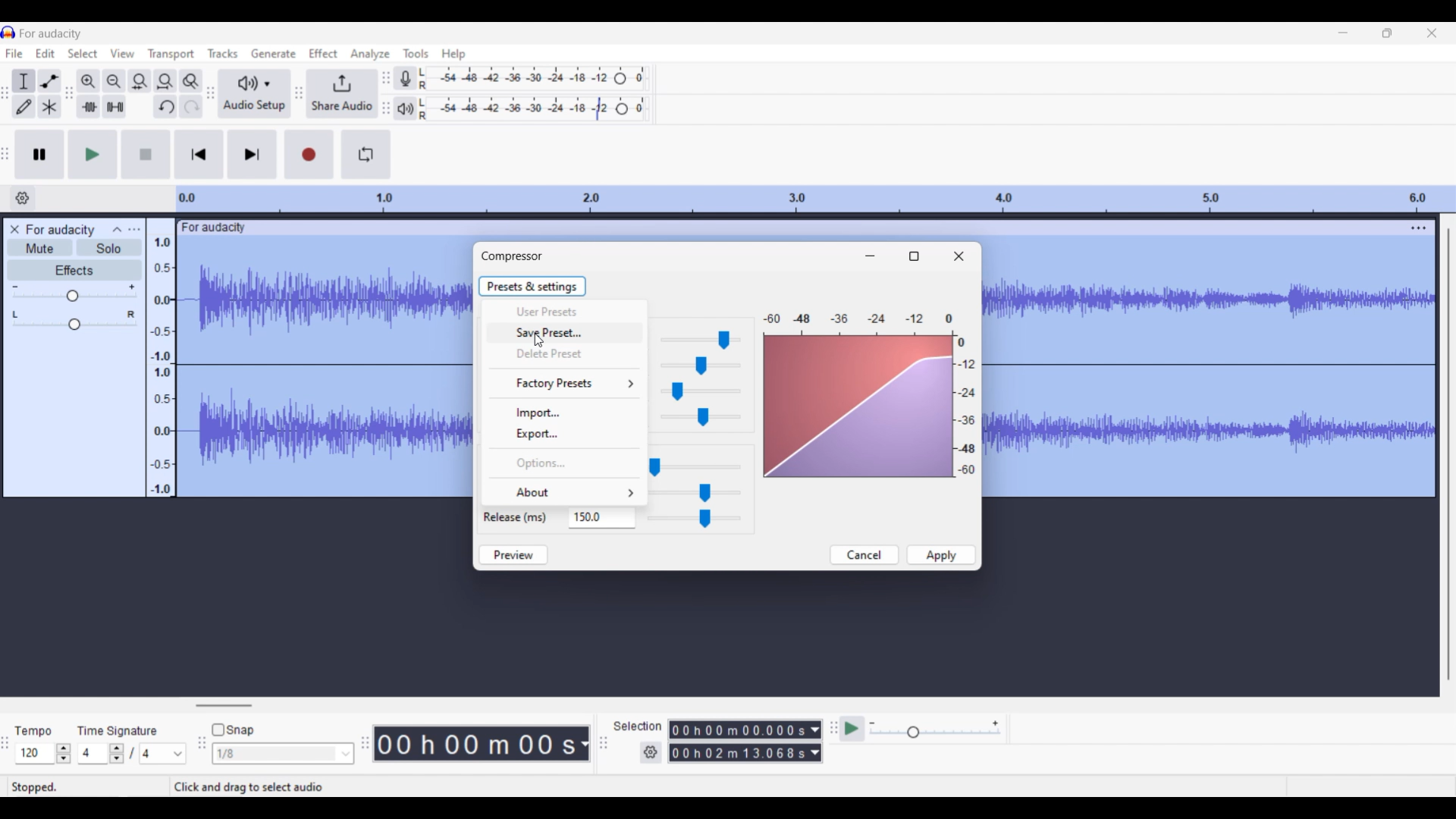 Image resolution: width=1456 pixels, height=819 pixels. What do you see at coordinates (253, 93) in the screenshot?
I see `Audio setup` at bounding box center [253, 93].